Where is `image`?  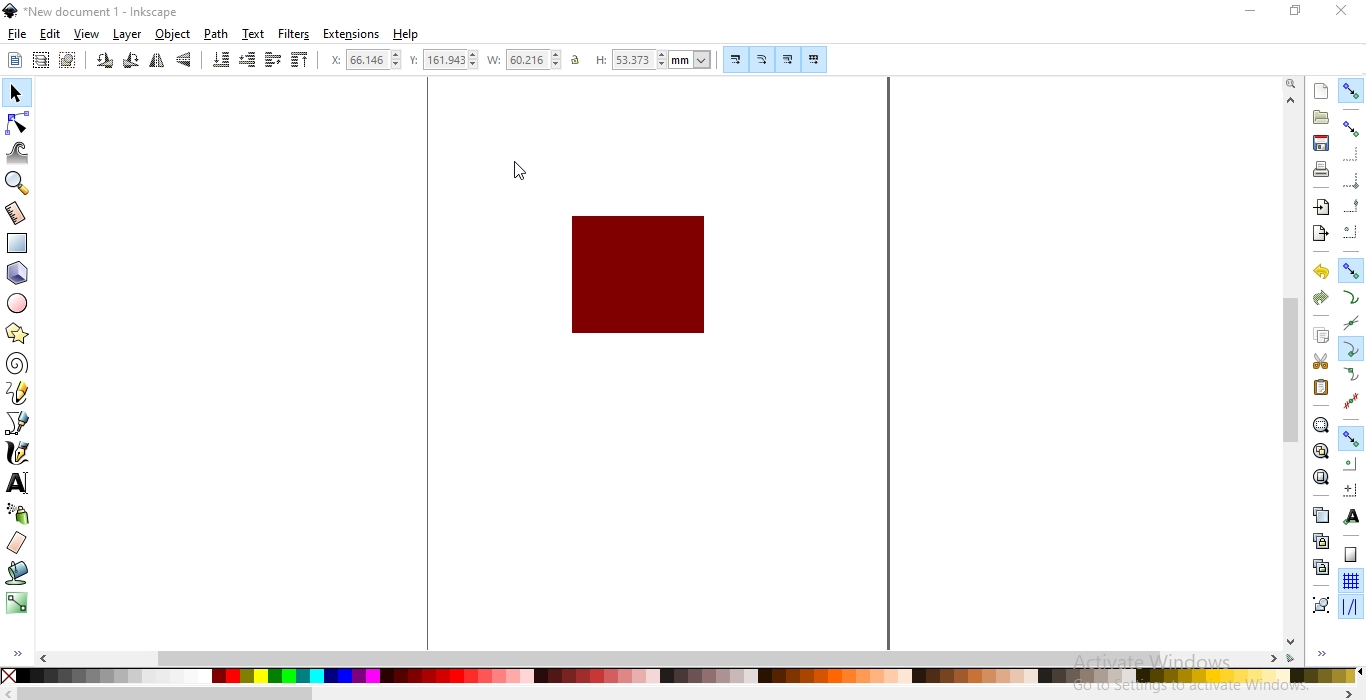 image is located at coordinates (644, 276).